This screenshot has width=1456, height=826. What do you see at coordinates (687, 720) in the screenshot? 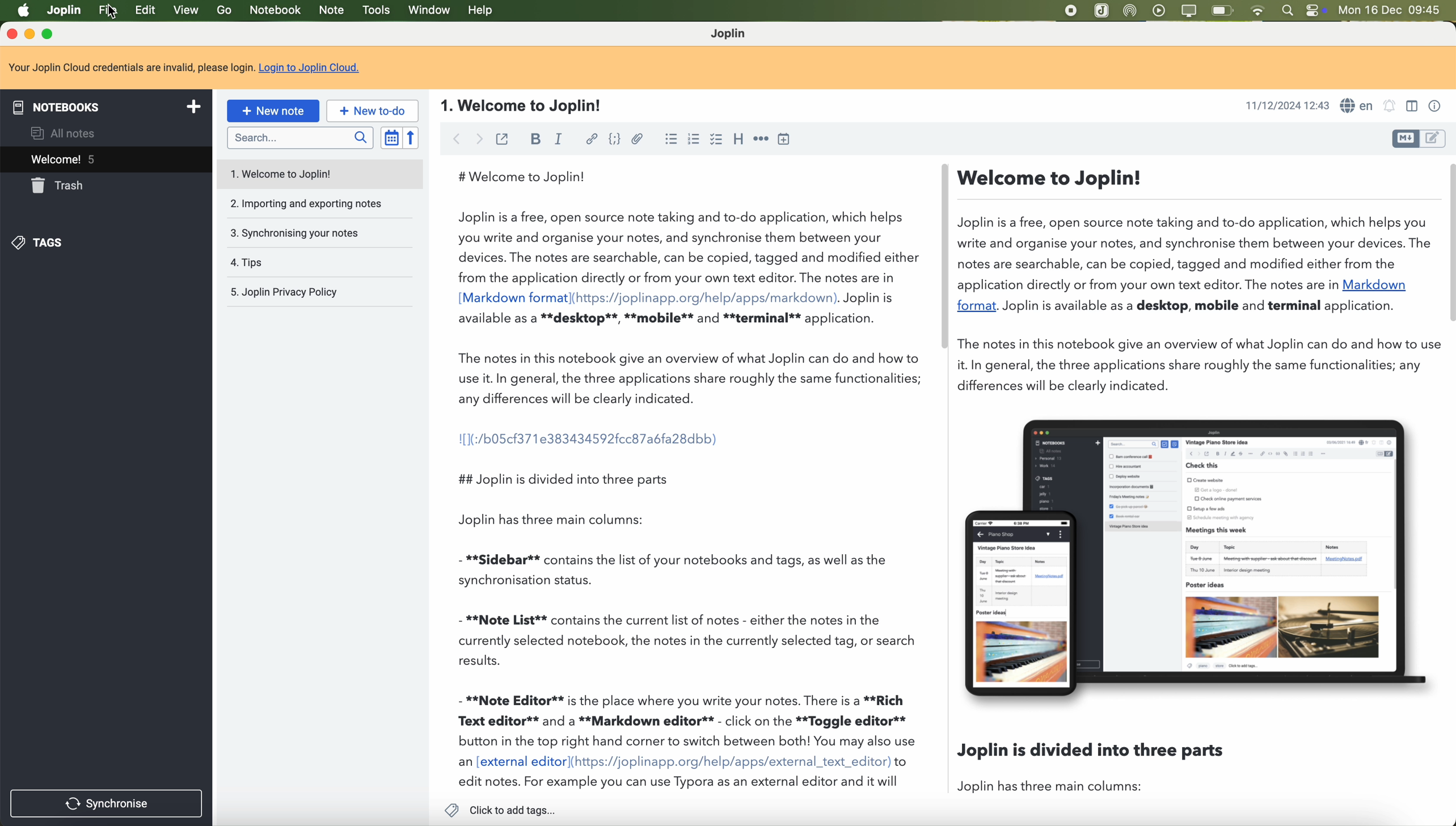
I see `- **Note Editor** is the place where you write your notes. There is a **Rich
Text editor** and a **Markdown editor** - click on the **Toggle editor**
button in the top right hand corner to switch between both! You may also use` at bounding box center [687, 720].